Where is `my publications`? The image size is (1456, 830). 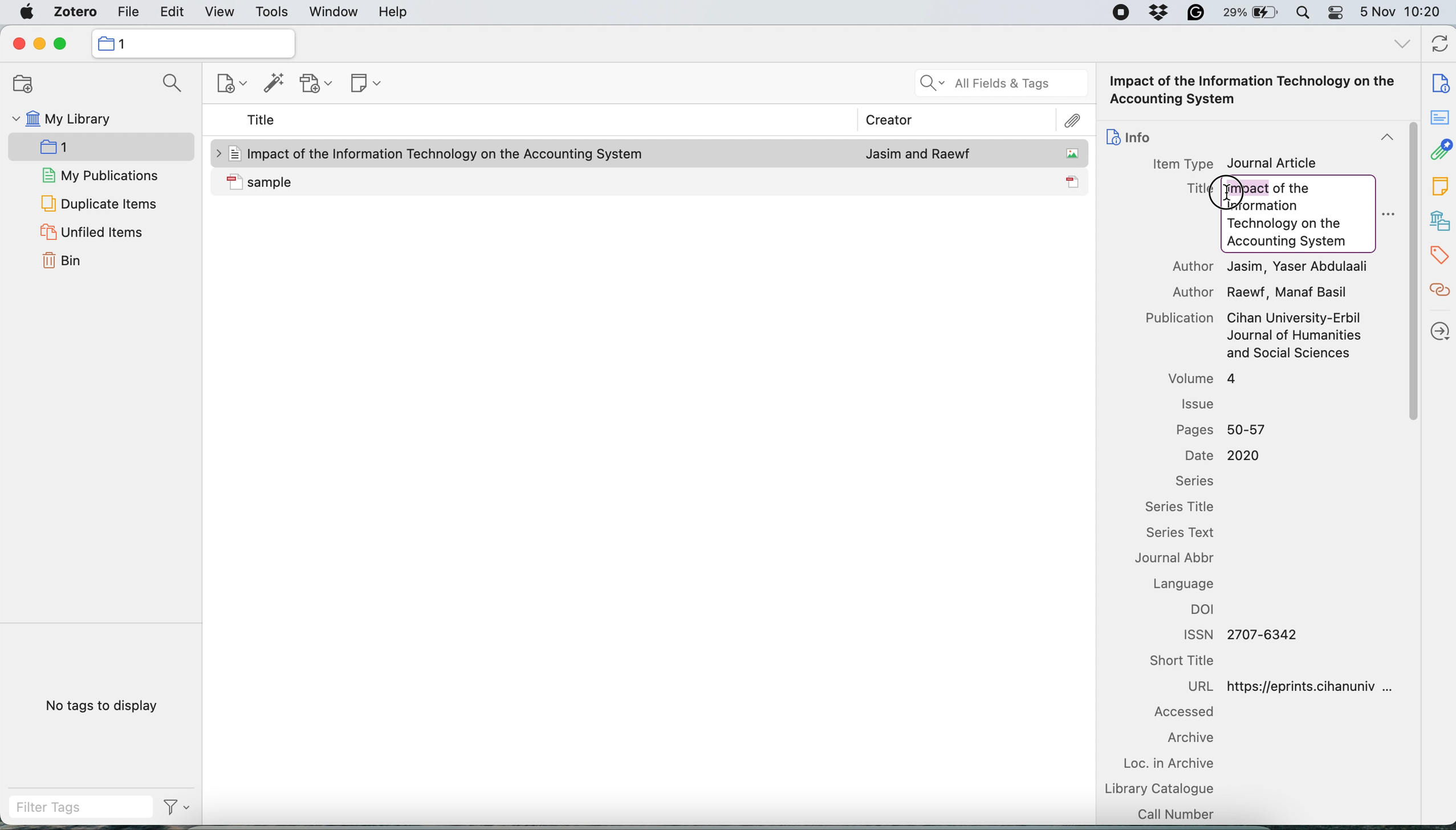
my publications is located at coordinates (100, 175).